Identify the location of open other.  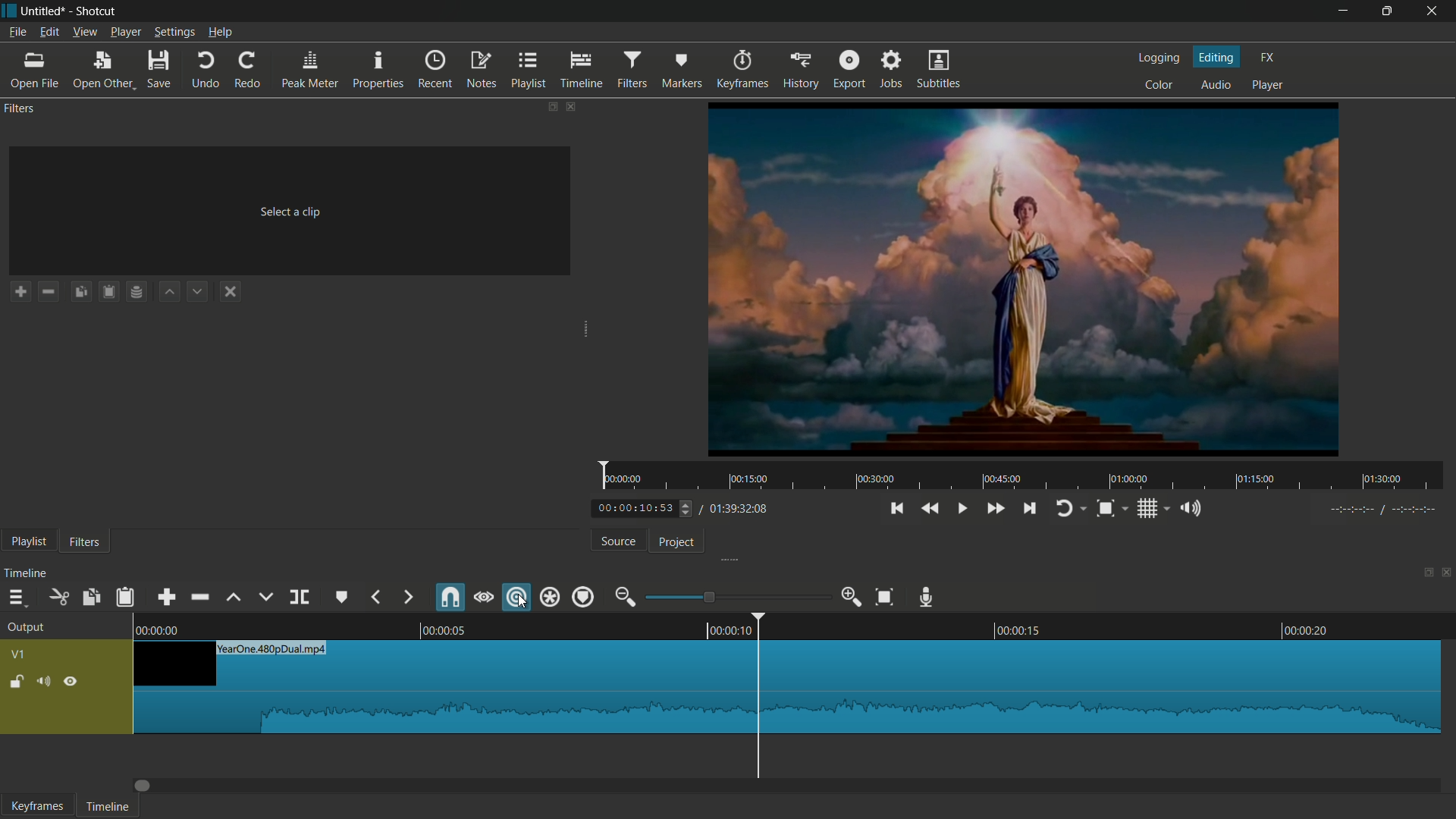
(101, 70).